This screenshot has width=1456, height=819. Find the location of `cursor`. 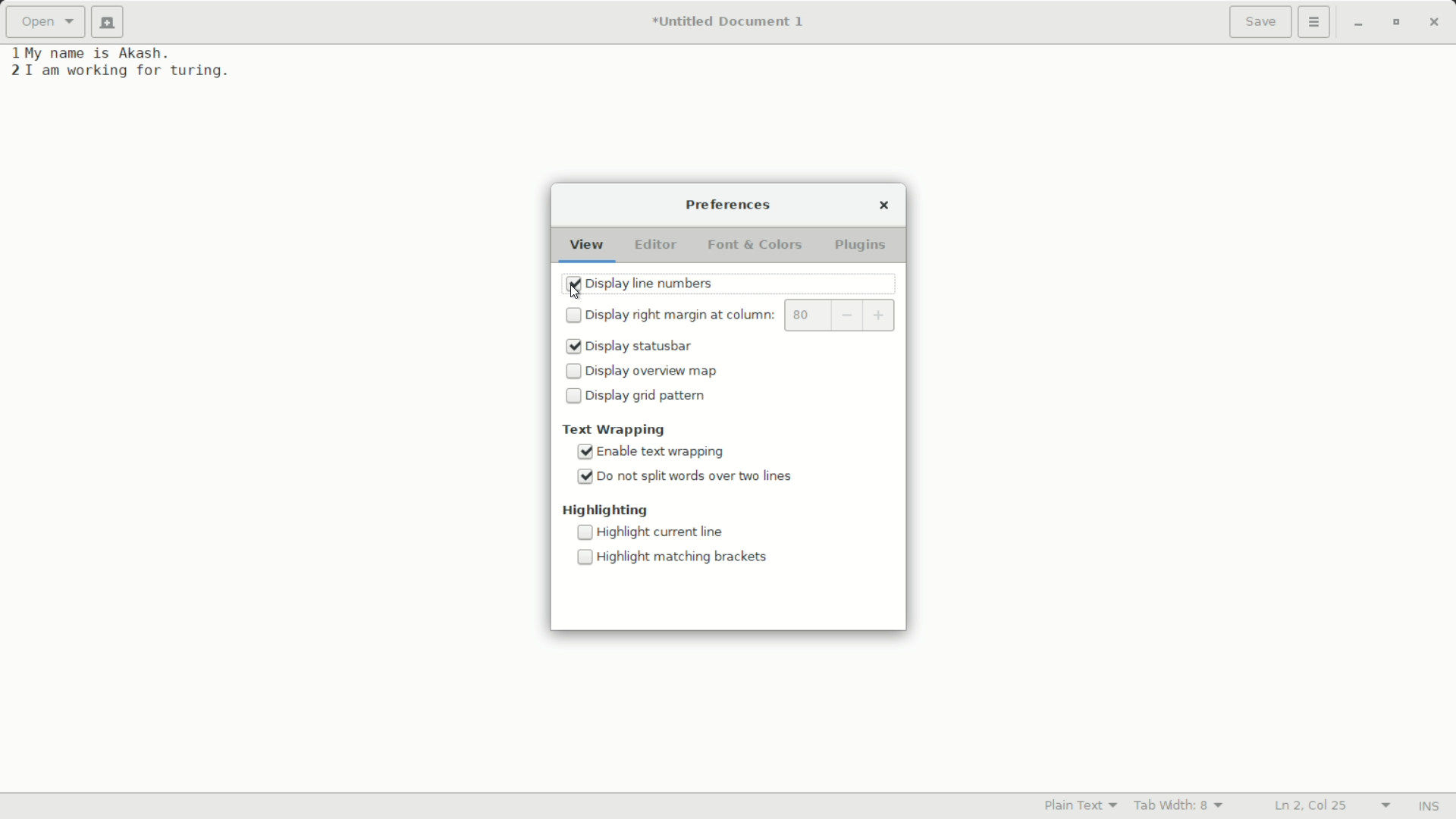

cursor is located at coordinates (573, 293).